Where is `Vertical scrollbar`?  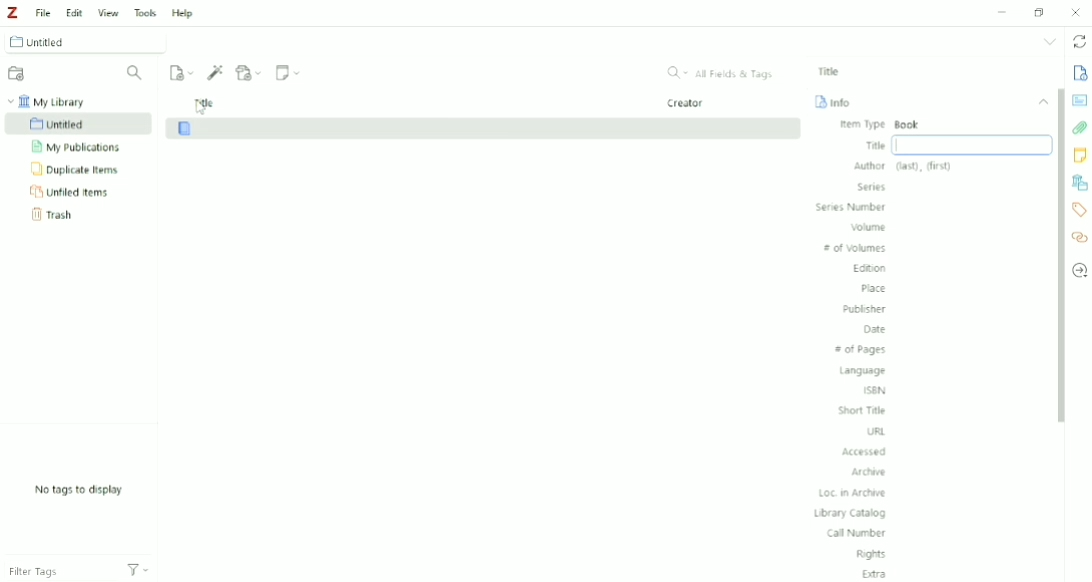 Vertical scrollbar is located at coordinates (1059, 258).